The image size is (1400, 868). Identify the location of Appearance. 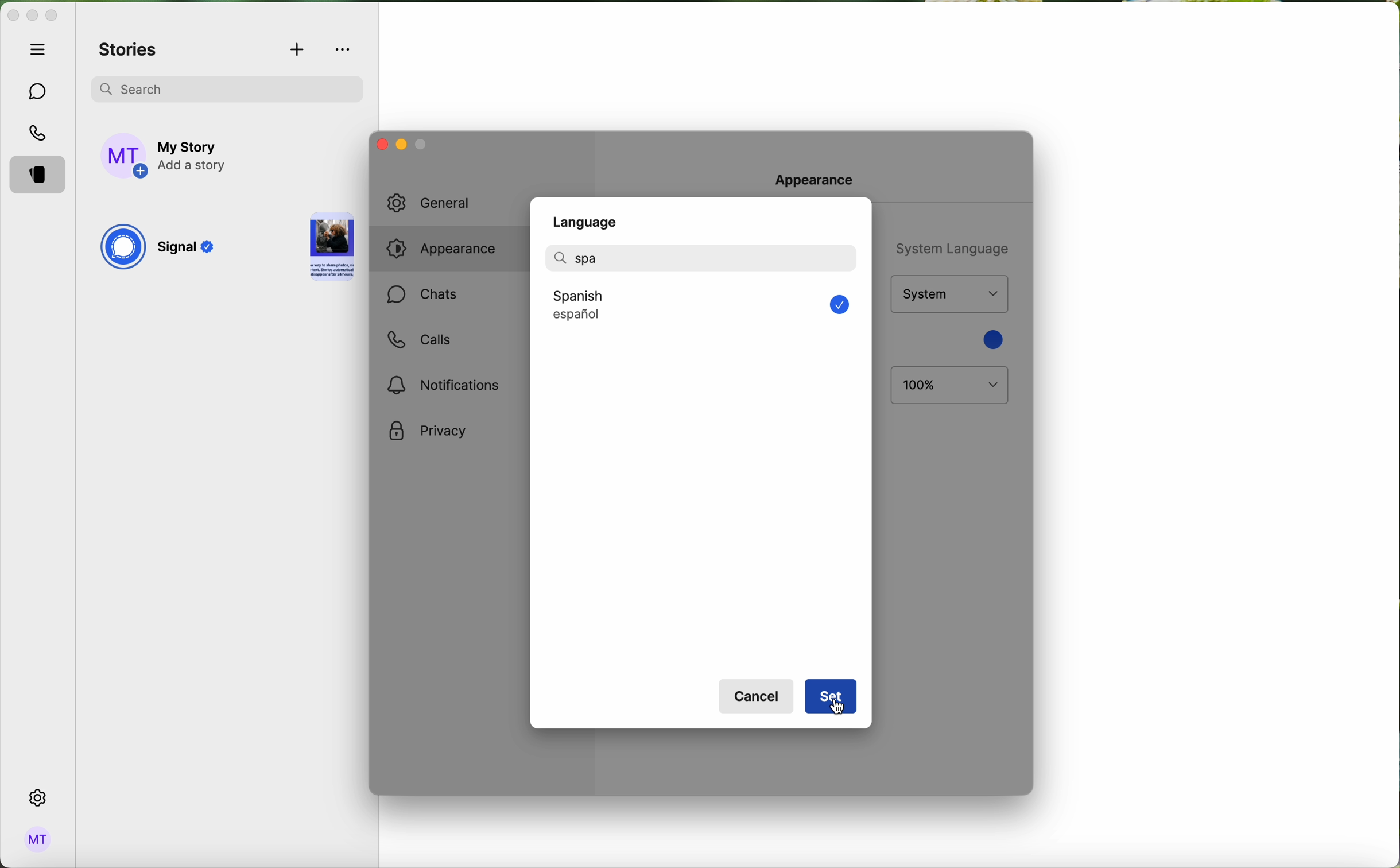
(820, 178).